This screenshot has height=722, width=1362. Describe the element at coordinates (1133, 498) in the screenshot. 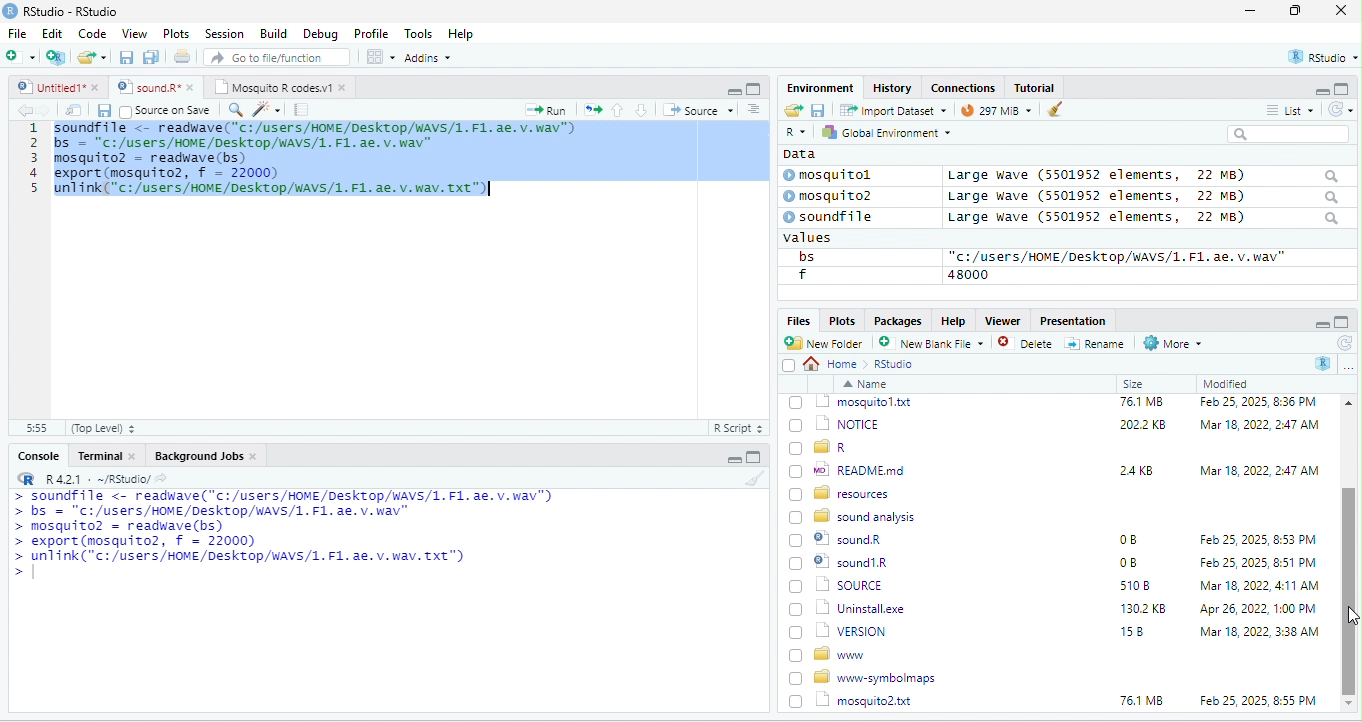

I see `6KB` at that location.